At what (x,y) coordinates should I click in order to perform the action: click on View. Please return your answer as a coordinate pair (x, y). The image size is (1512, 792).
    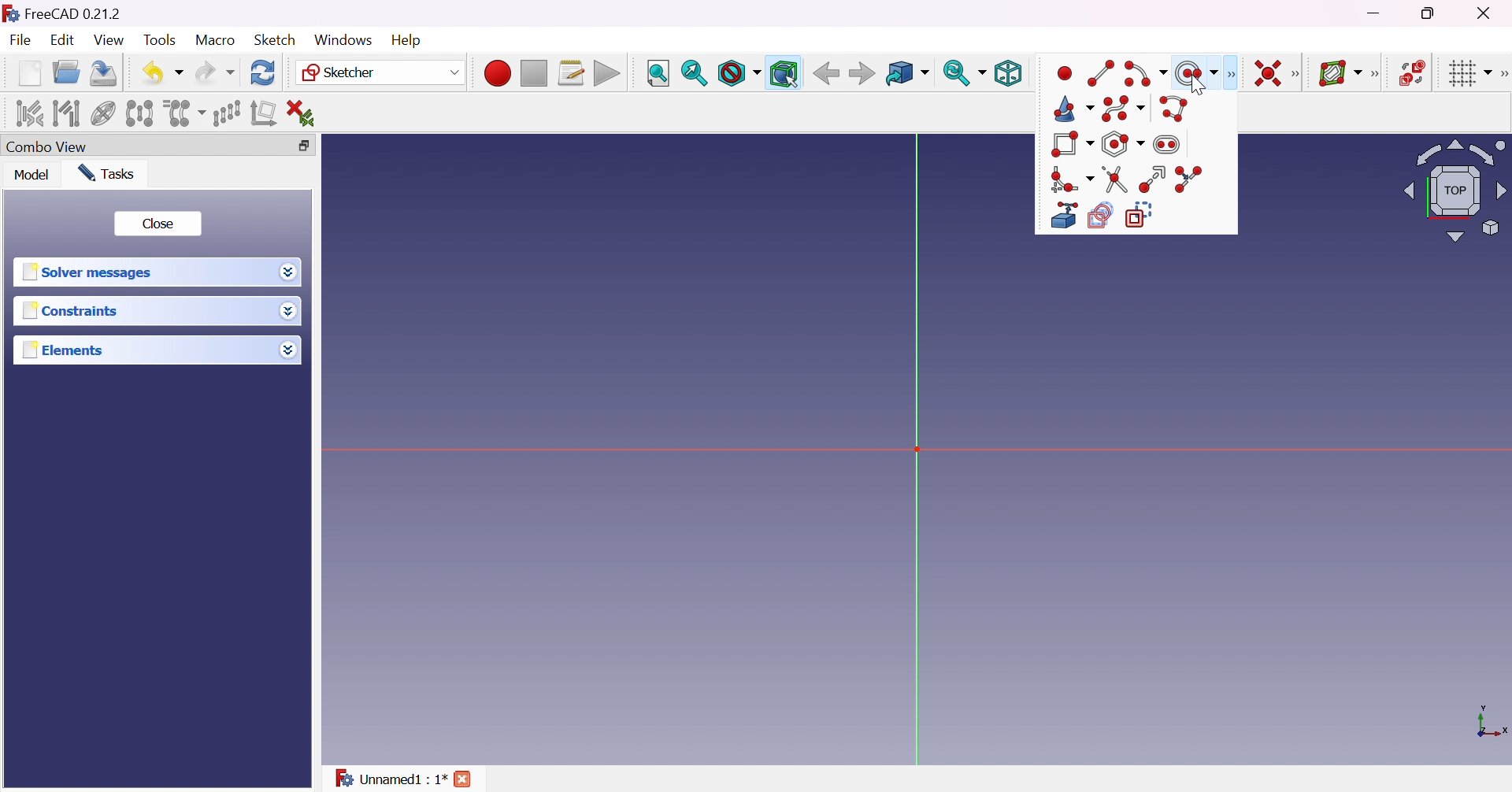
    Looking at the image, I should click on (110, 41).